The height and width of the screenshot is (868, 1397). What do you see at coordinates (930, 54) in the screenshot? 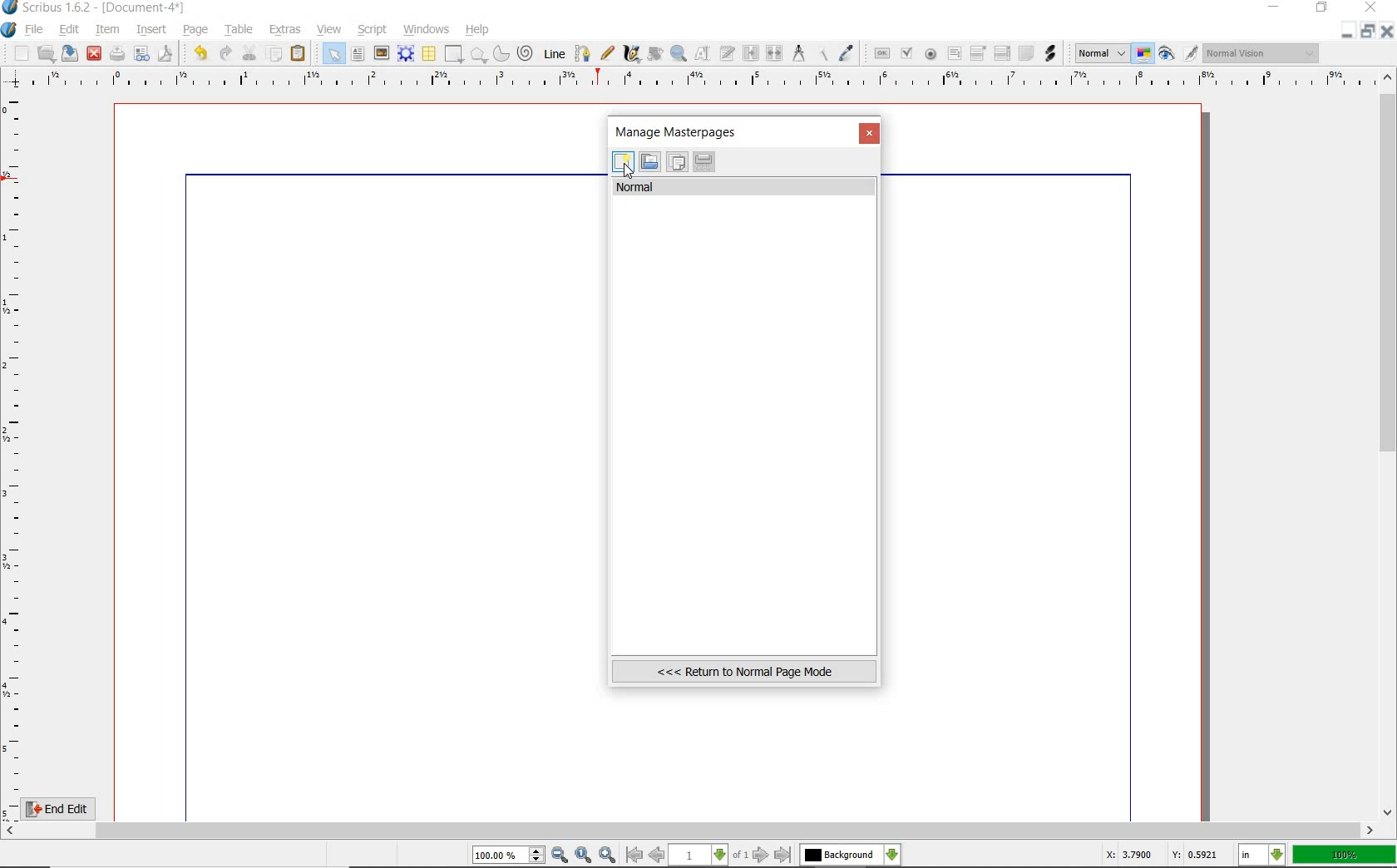
I see `pdf radio button` at bounding box center [930, 54].